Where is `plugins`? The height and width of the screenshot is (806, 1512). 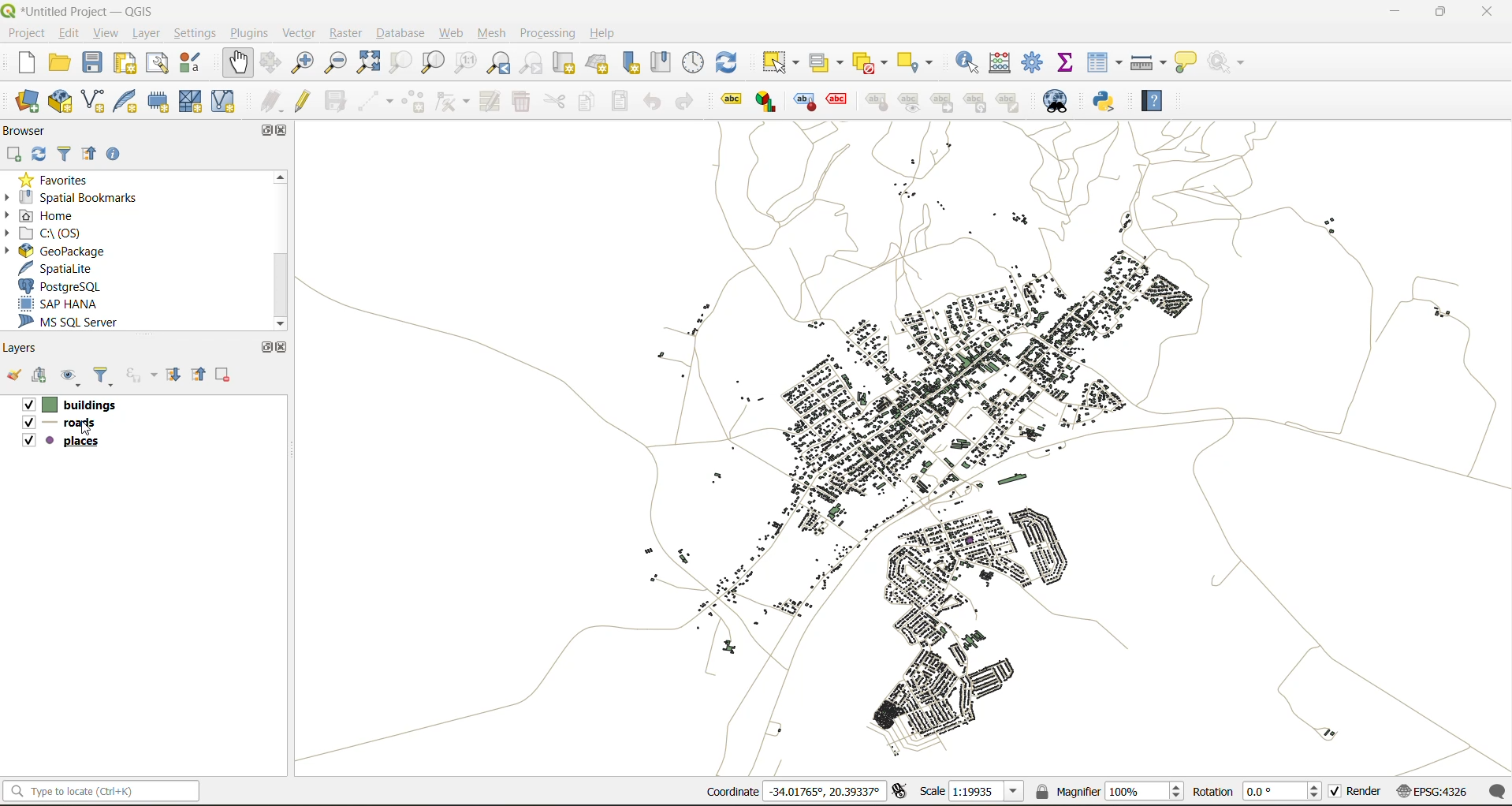
plugins is located at coordinates (251, 33).